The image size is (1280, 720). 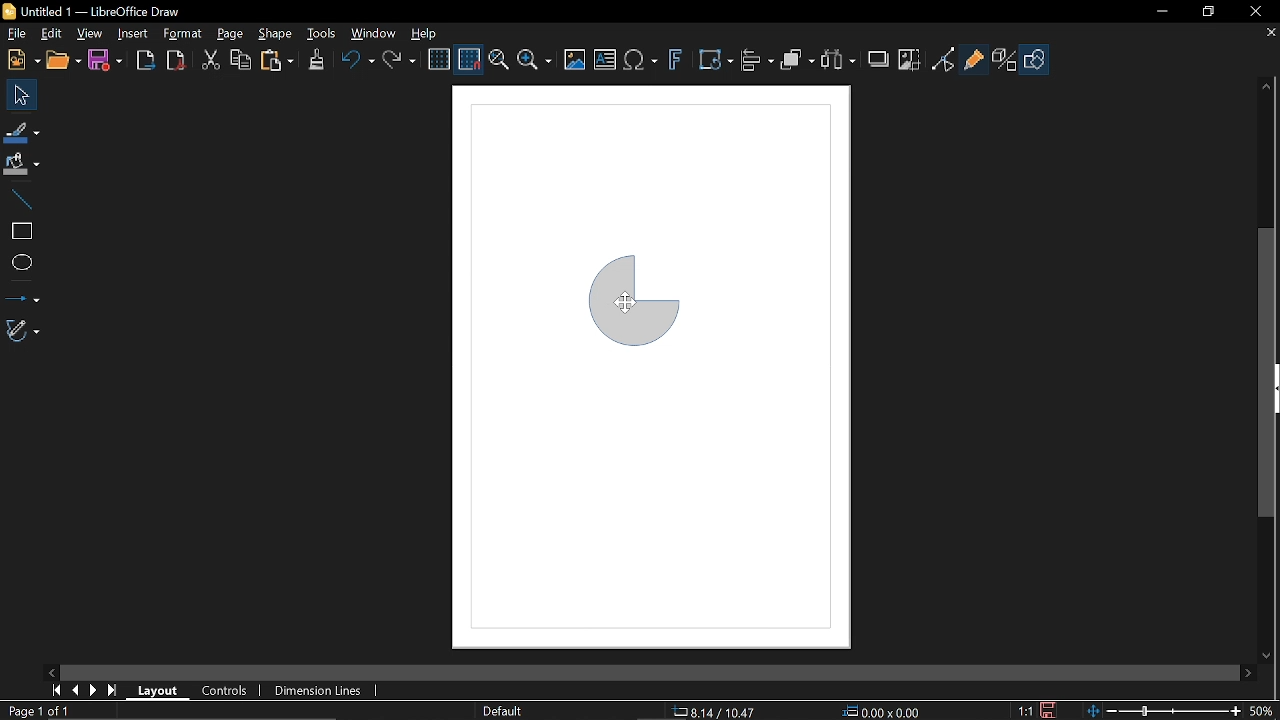 I want to click on Untitled 1 -- LibreOffice Draw, so click(x=110, y=11).